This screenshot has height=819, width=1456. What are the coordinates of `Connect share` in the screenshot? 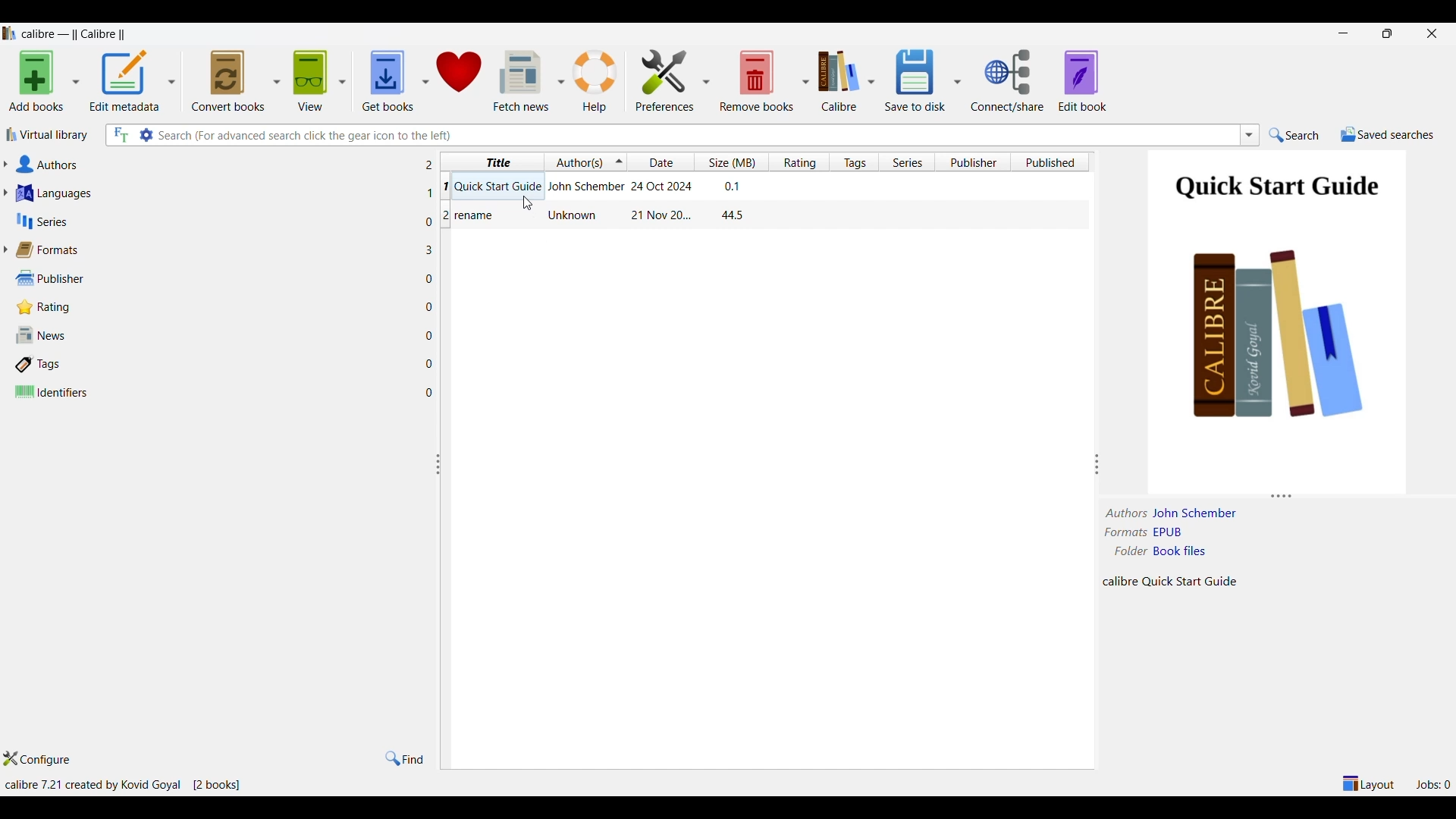 It's located at (1009, 80).